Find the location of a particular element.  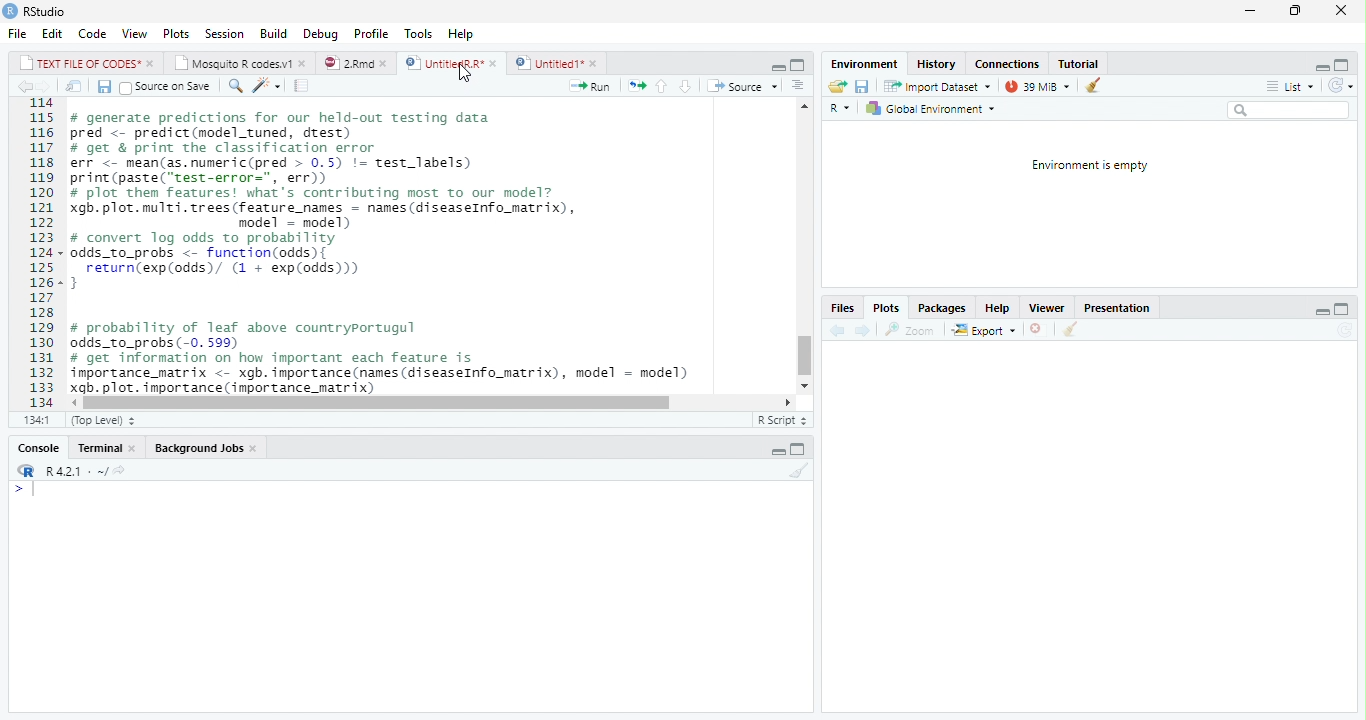

 Untitled1*  is located at coordinates (557, 62).